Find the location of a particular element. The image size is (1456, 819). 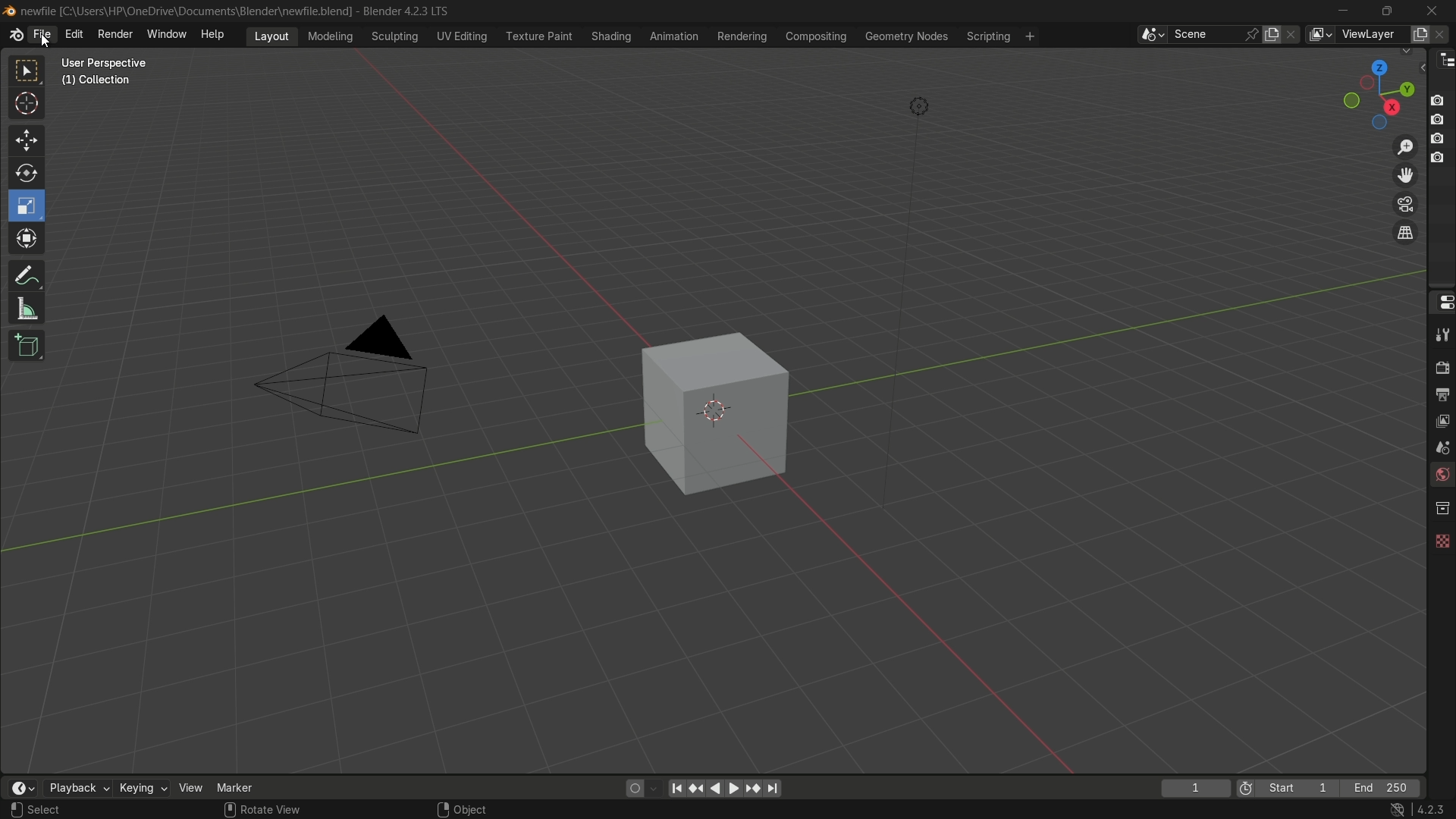

Blender 4.2.3 is located at coordinates (402, 11).